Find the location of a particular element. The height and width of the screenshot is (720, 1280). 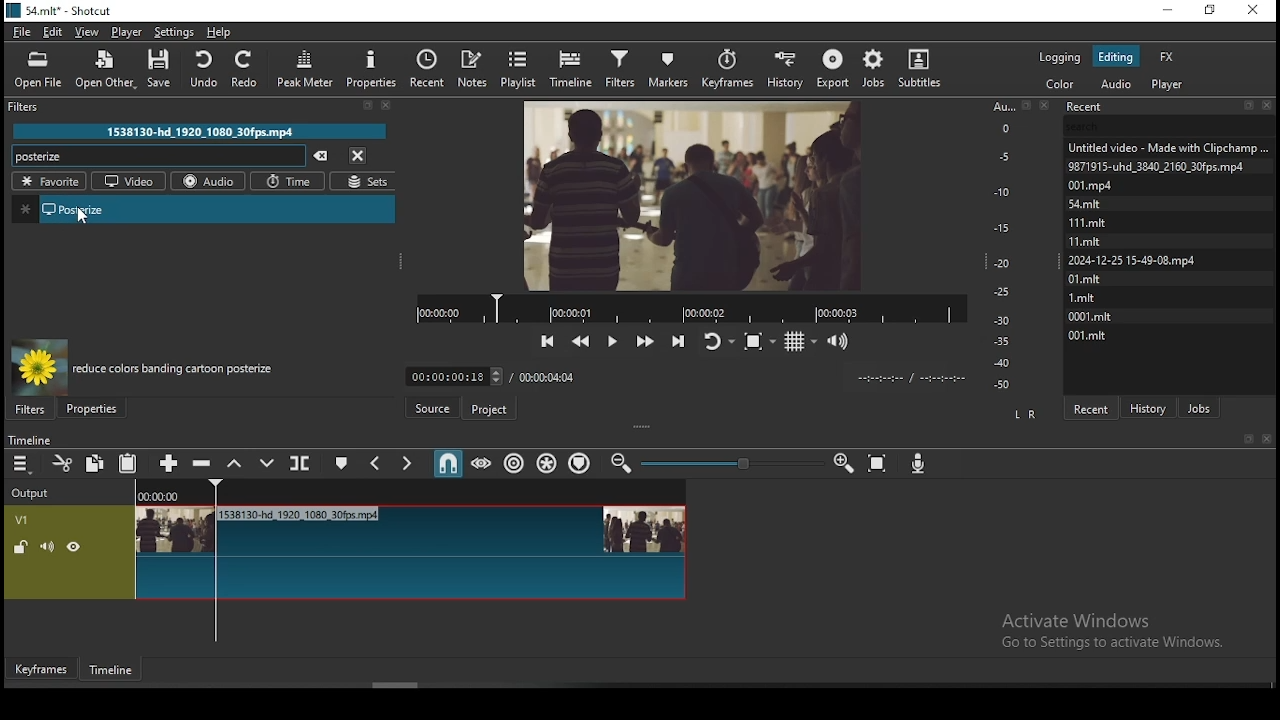

zoom timeline in is located at coordinates (621, 464).